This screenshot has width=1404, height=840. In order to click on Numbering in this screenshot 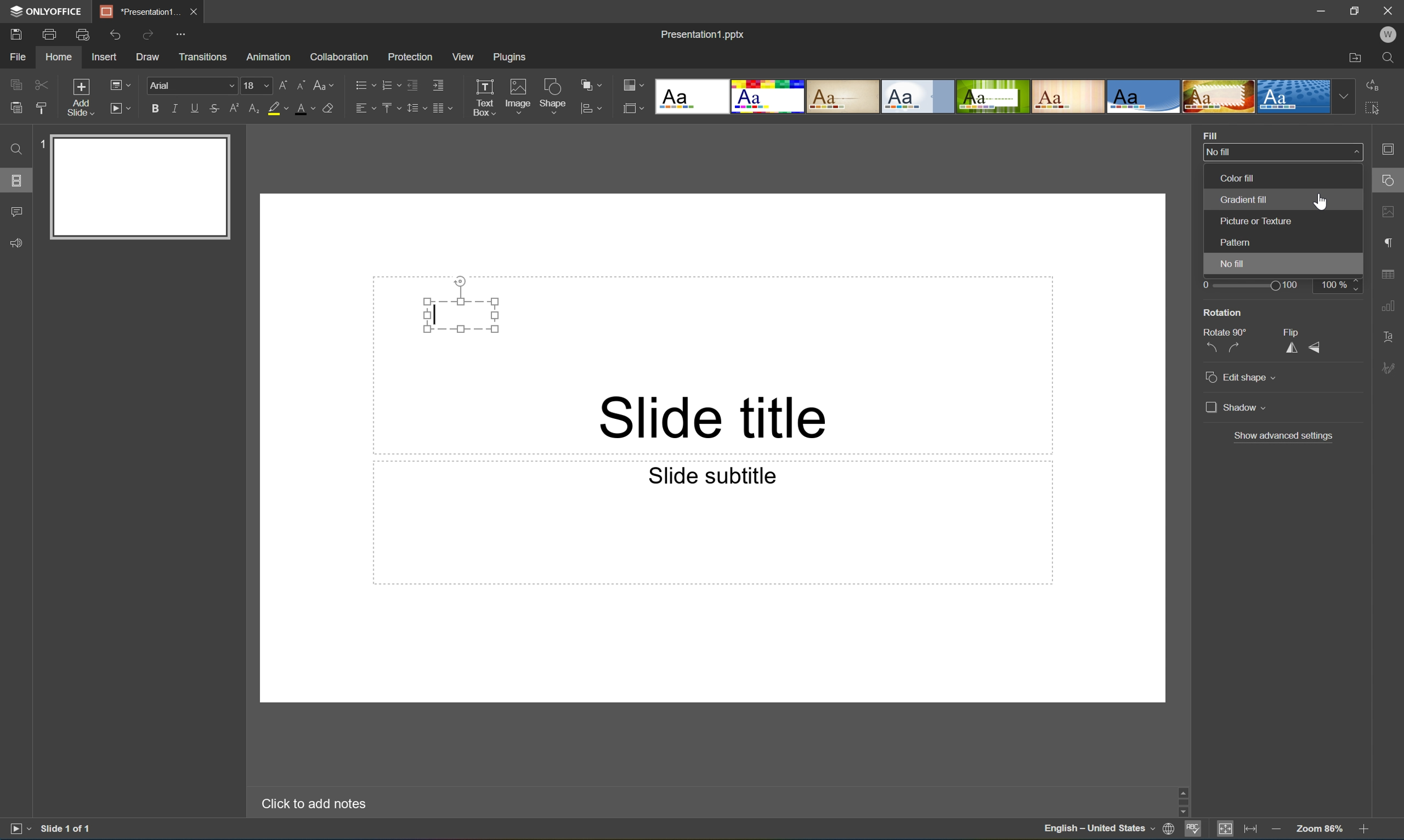, I will do `click(389, 84)`.